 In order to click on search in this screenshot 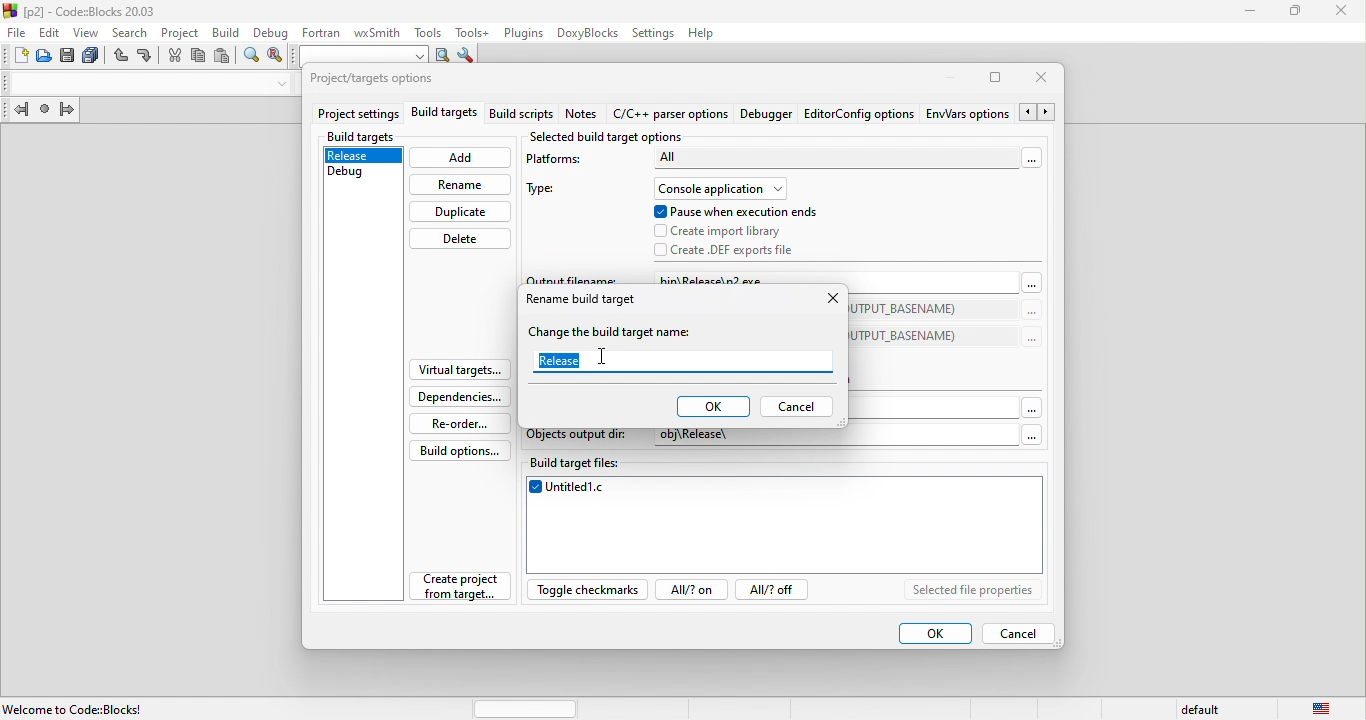, I will do `click(132, 31)`.